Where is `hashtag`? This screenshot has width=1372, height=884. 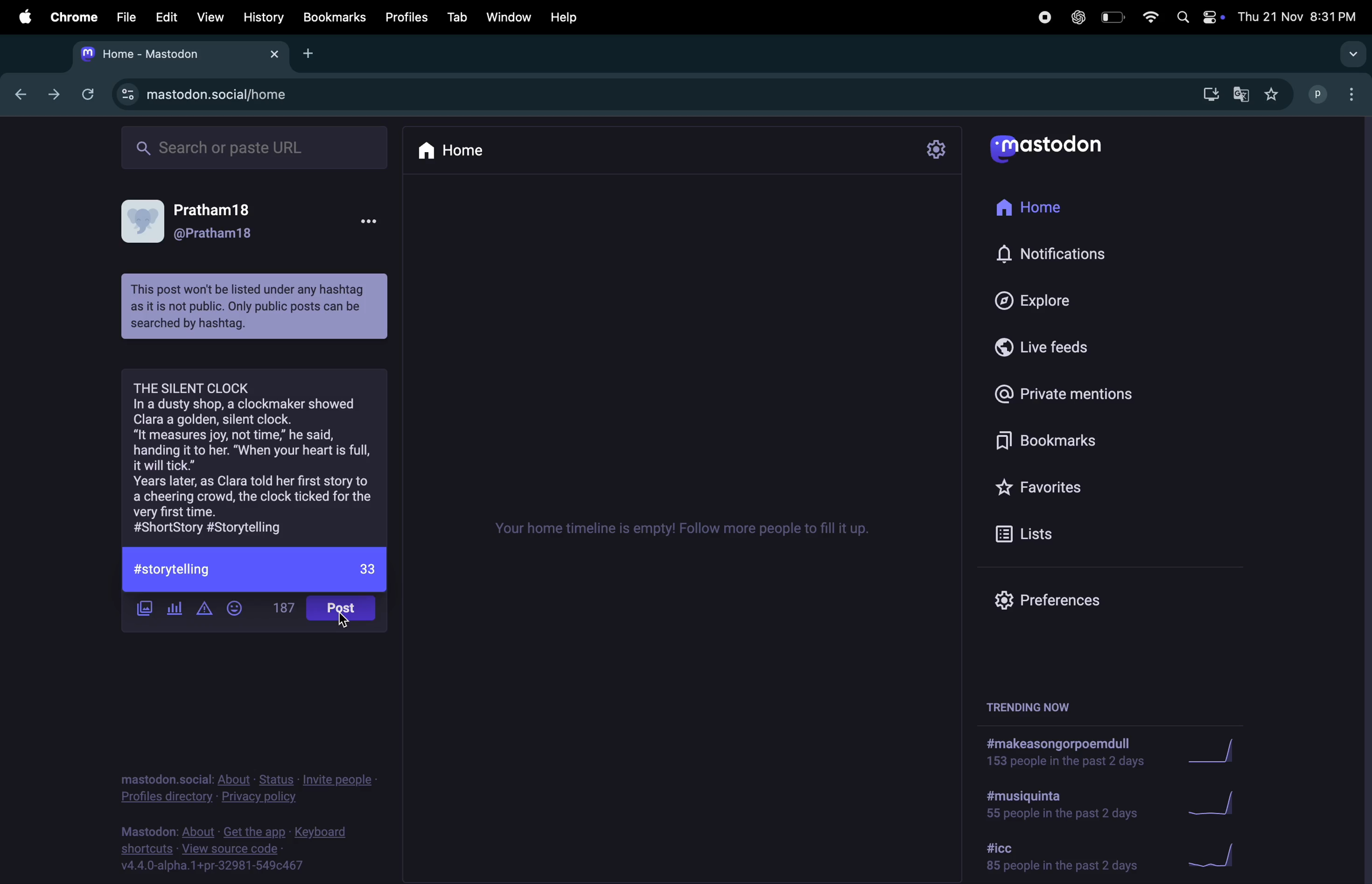 hashtag is located at coordinates (1061, 855).